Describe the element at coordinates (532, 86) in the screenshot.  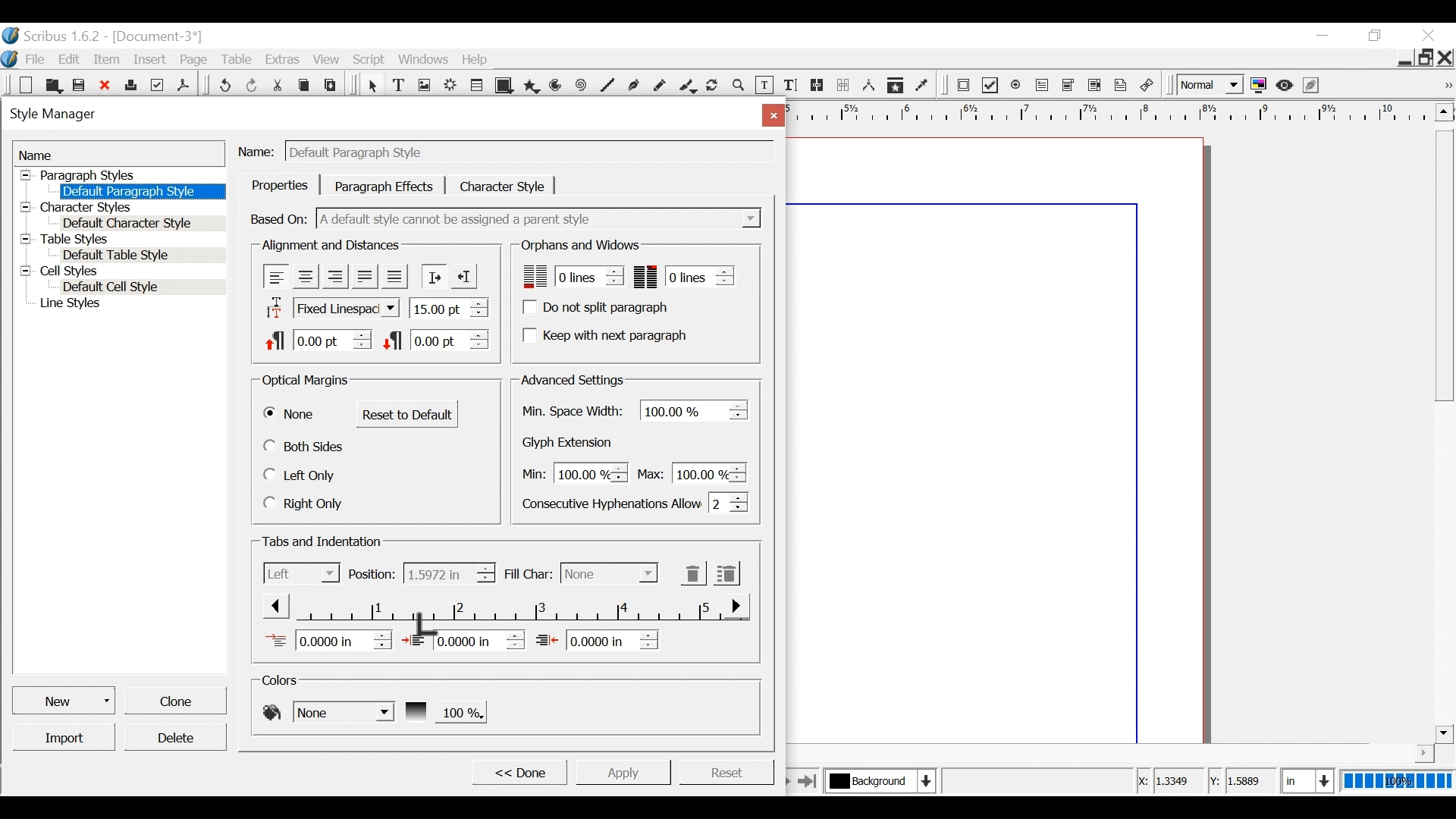
I see `Polygon ` at that location.